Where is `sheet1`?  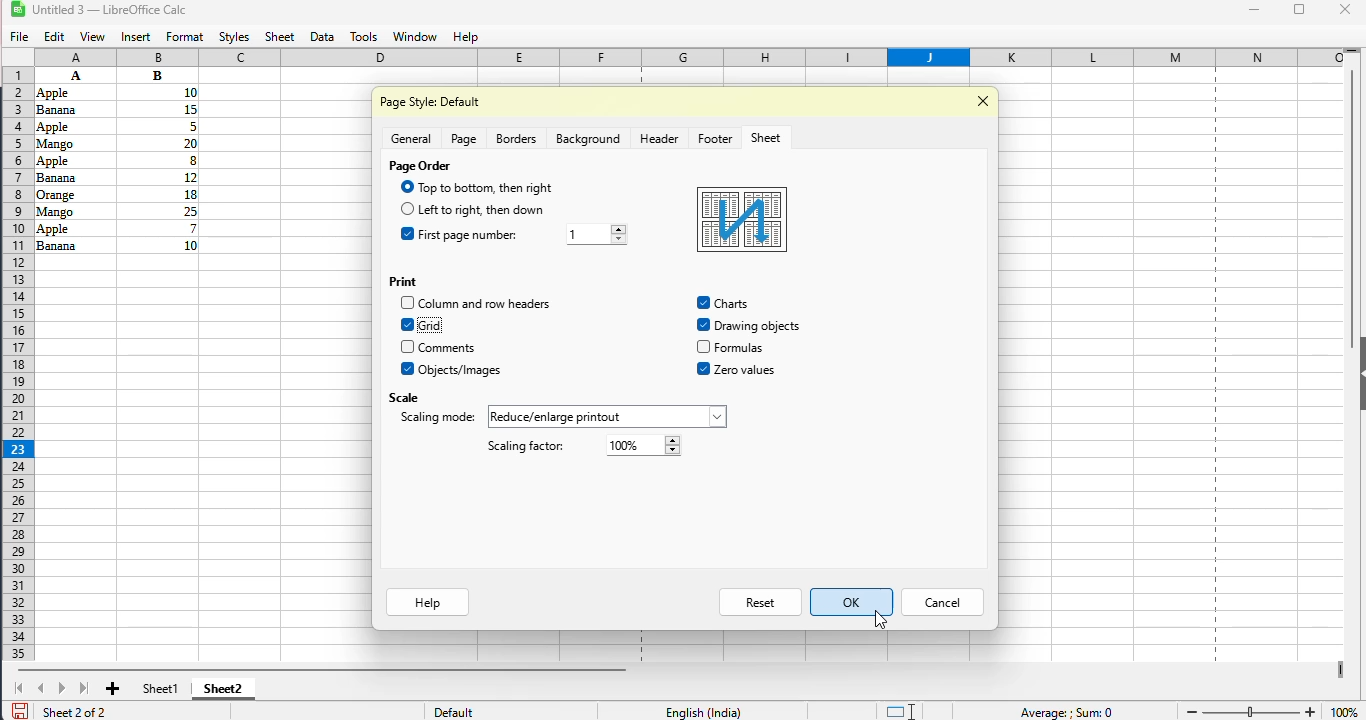
sheet1 is located at coordinates (161, 688).